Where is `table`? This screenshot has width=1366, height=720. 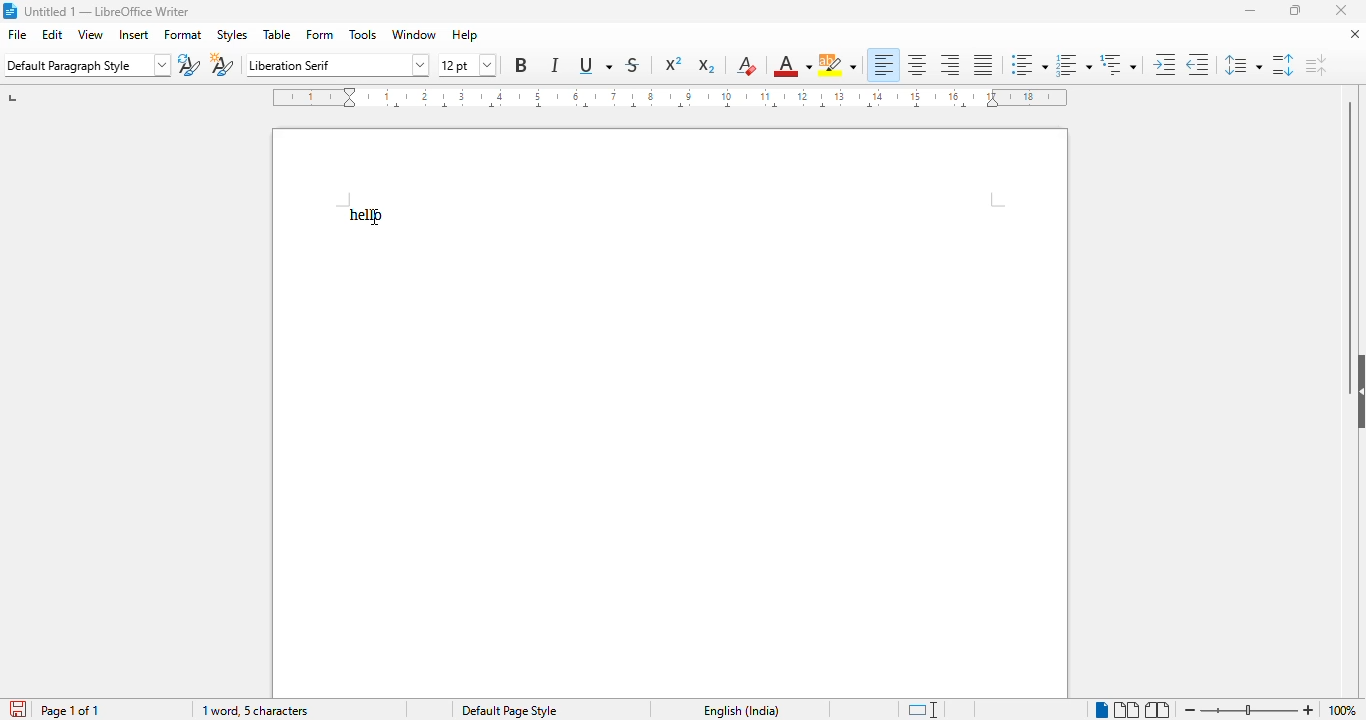 table is located at coordinates (277, 34).